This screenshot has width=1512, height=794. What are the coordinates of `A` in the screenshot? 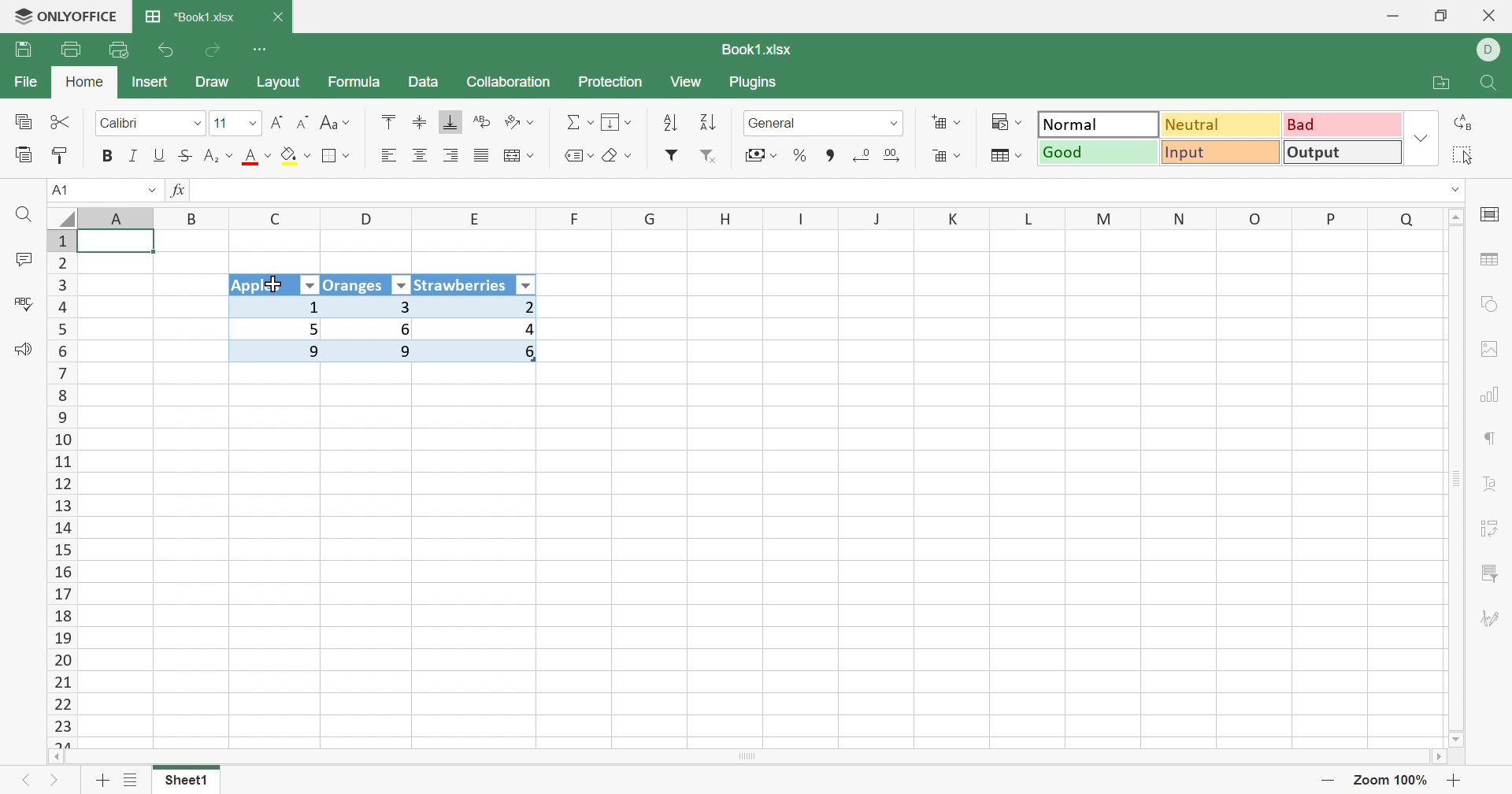 It's located at (119, 217).